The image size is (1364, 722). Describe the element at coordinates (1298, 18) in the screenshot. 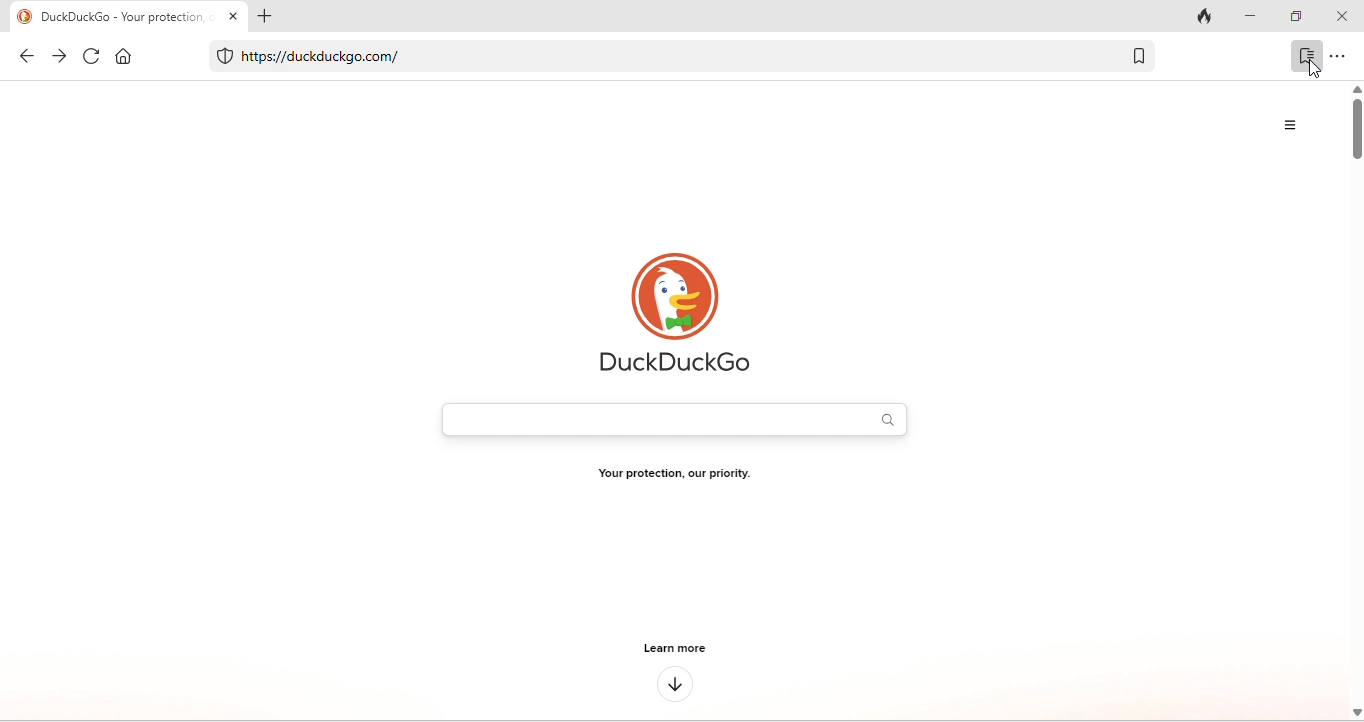

I see `maximize` at that location.